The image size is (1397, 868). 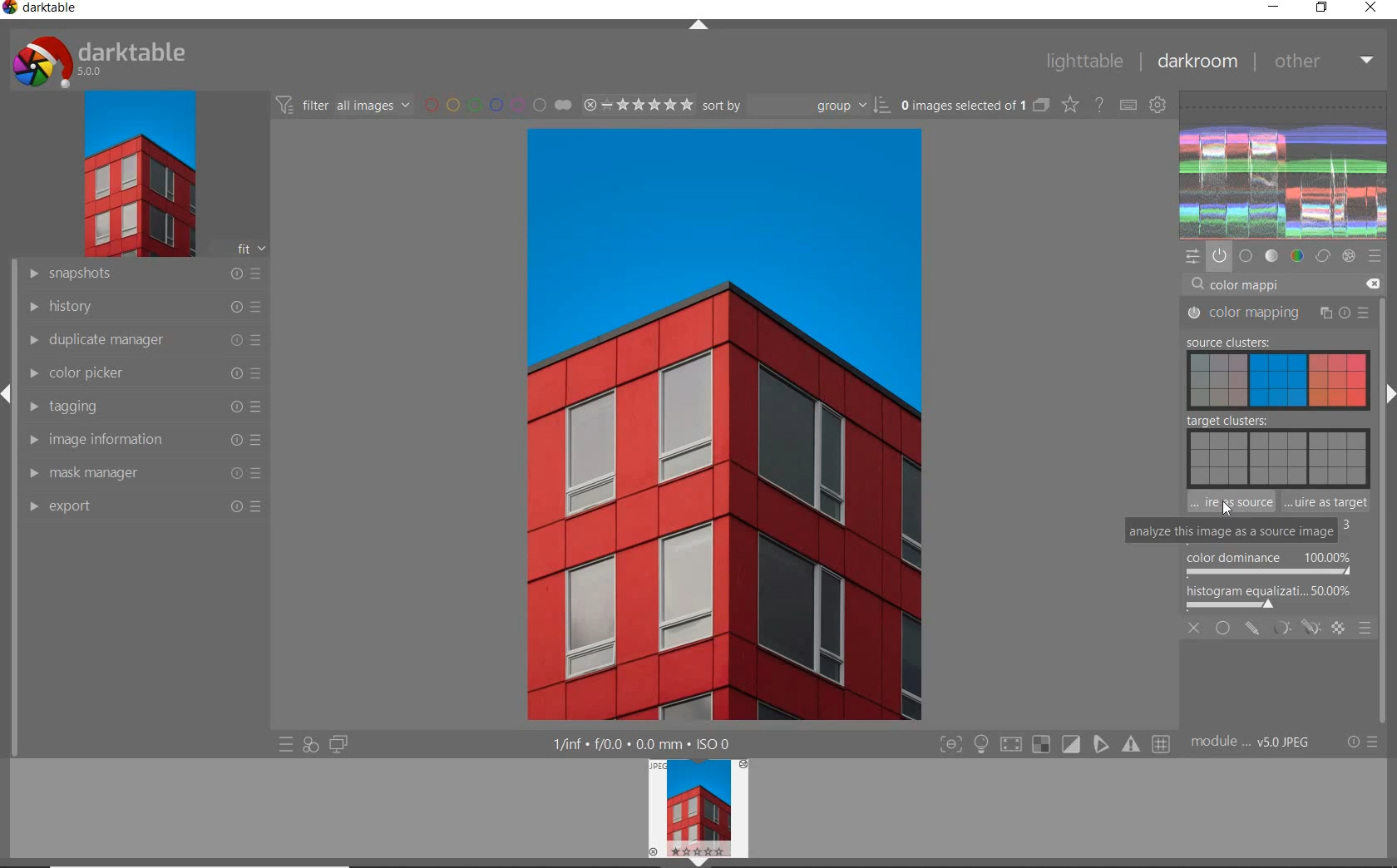 I want to click on effect, so click(x=1348, y=257).